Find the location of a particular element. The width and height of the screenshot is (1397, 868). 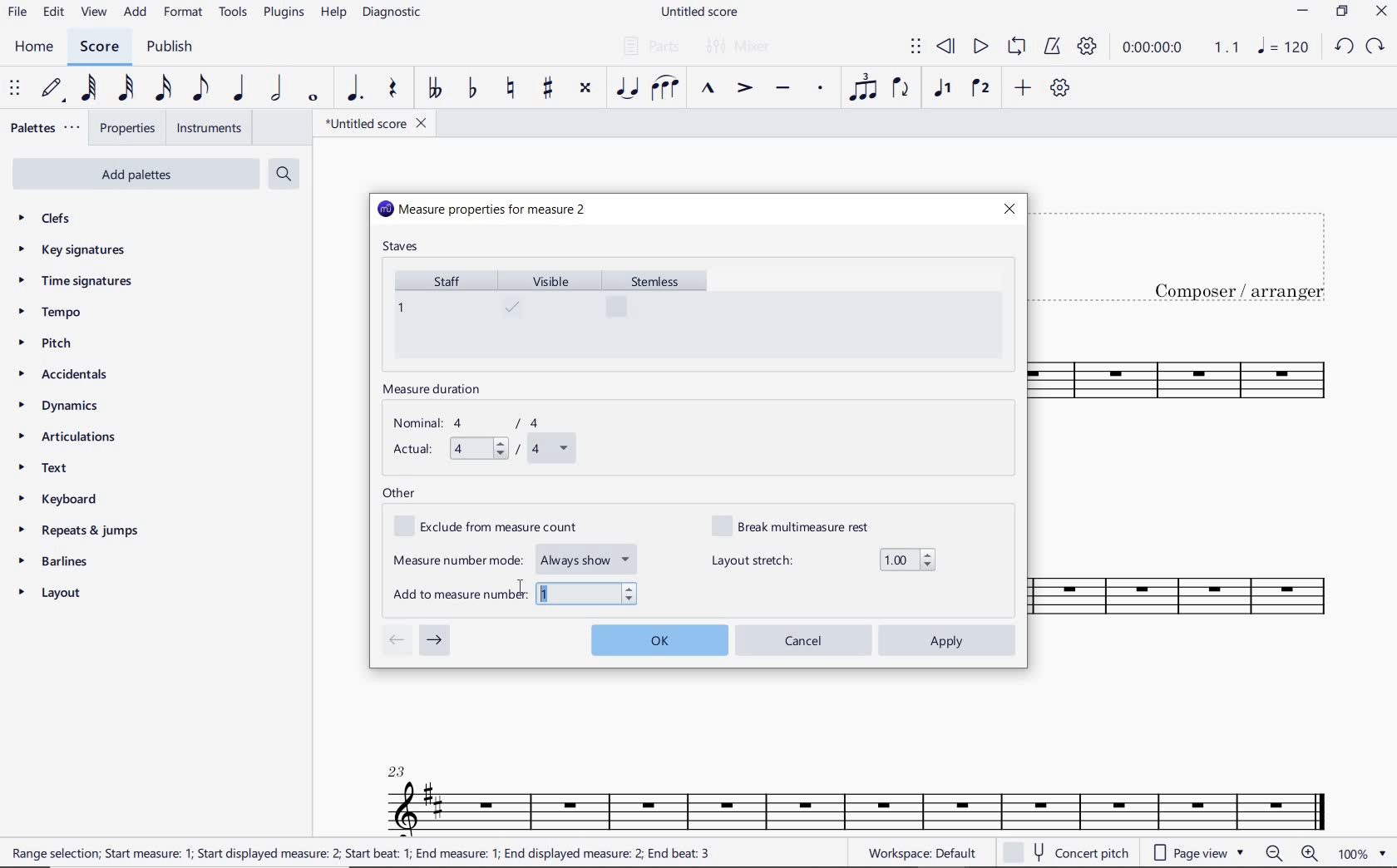

LOOP PLAYBACK is located at coordinates (1016, 48).